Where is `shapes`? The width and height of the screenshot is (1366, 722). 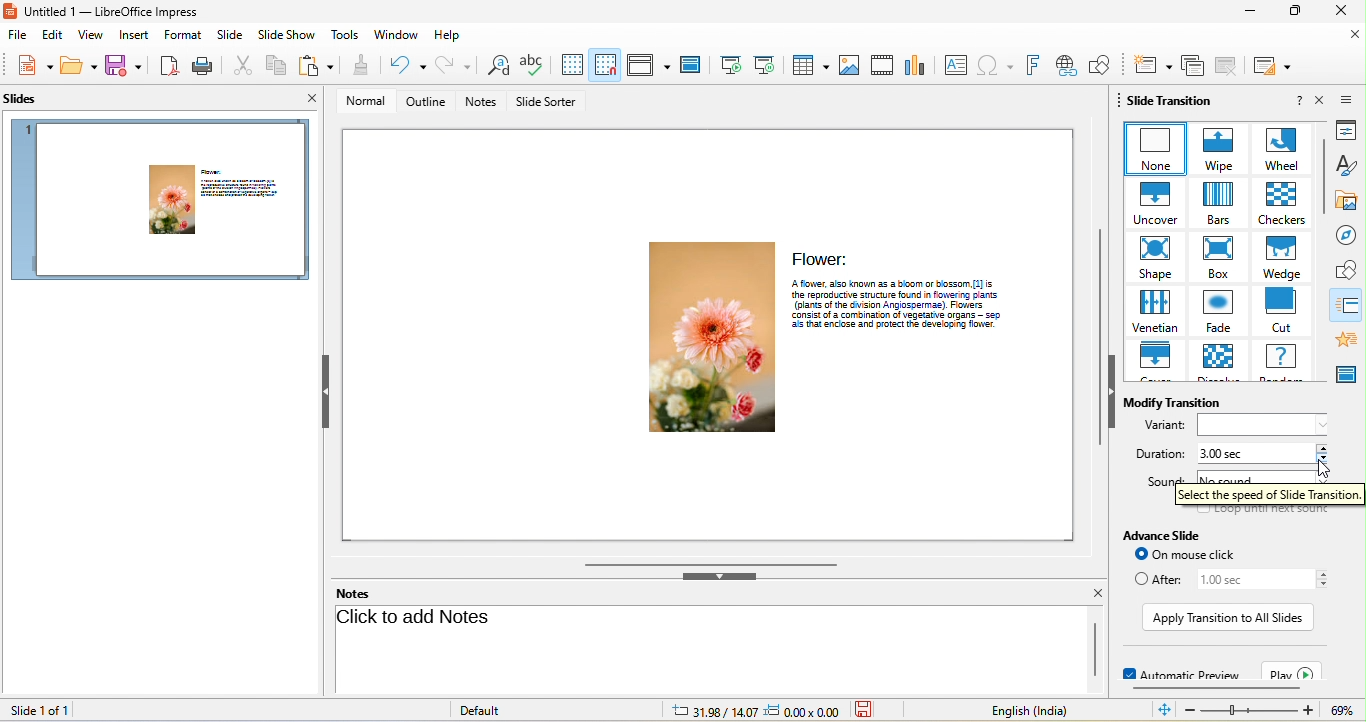 shapes is located at coordinates (1349, 270).